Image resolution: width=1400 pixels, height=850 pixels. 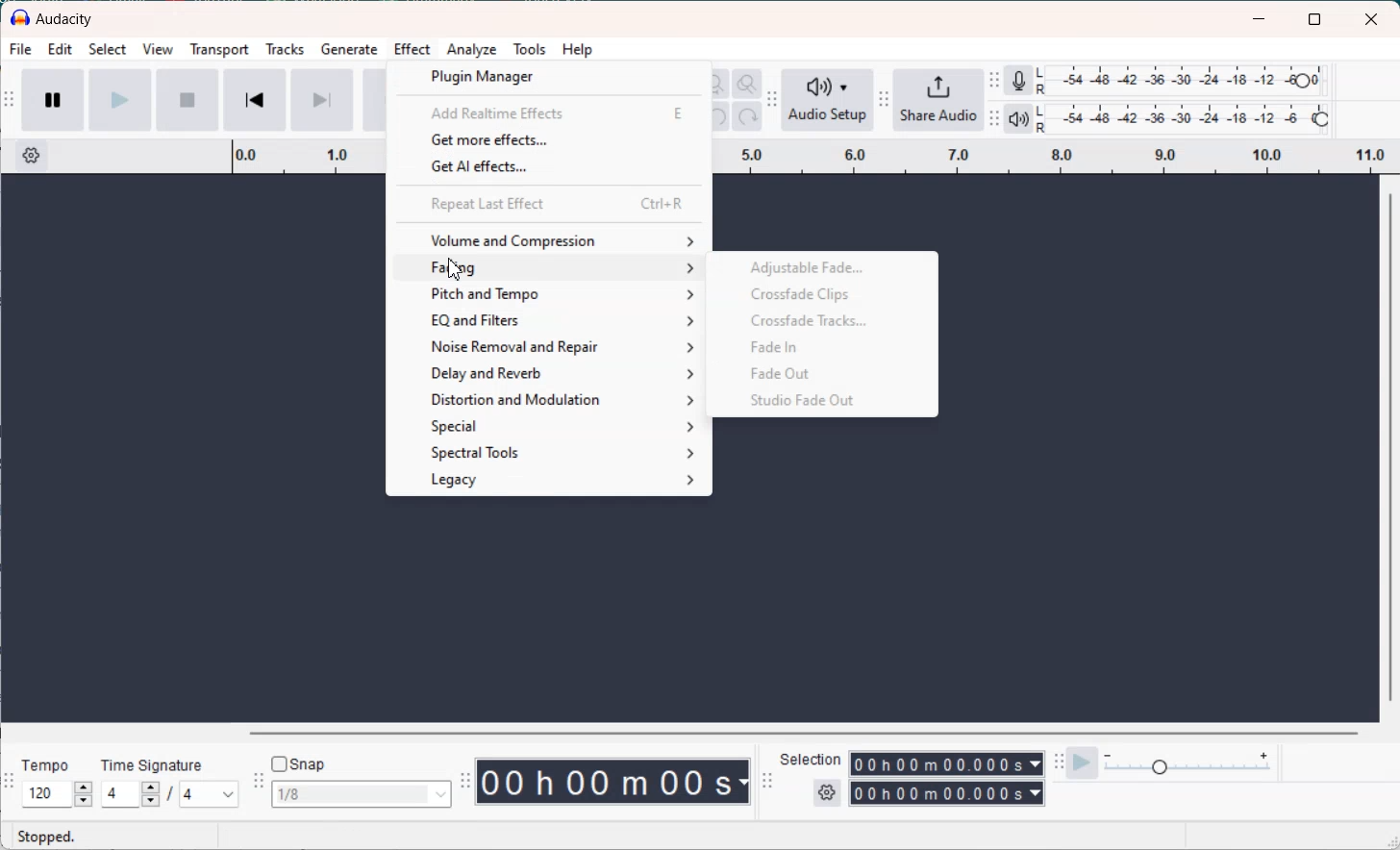 What do you see at coordinates (548, 141) in the screenshot?
I see `Get more effects...` at bounding box center [548, 141].